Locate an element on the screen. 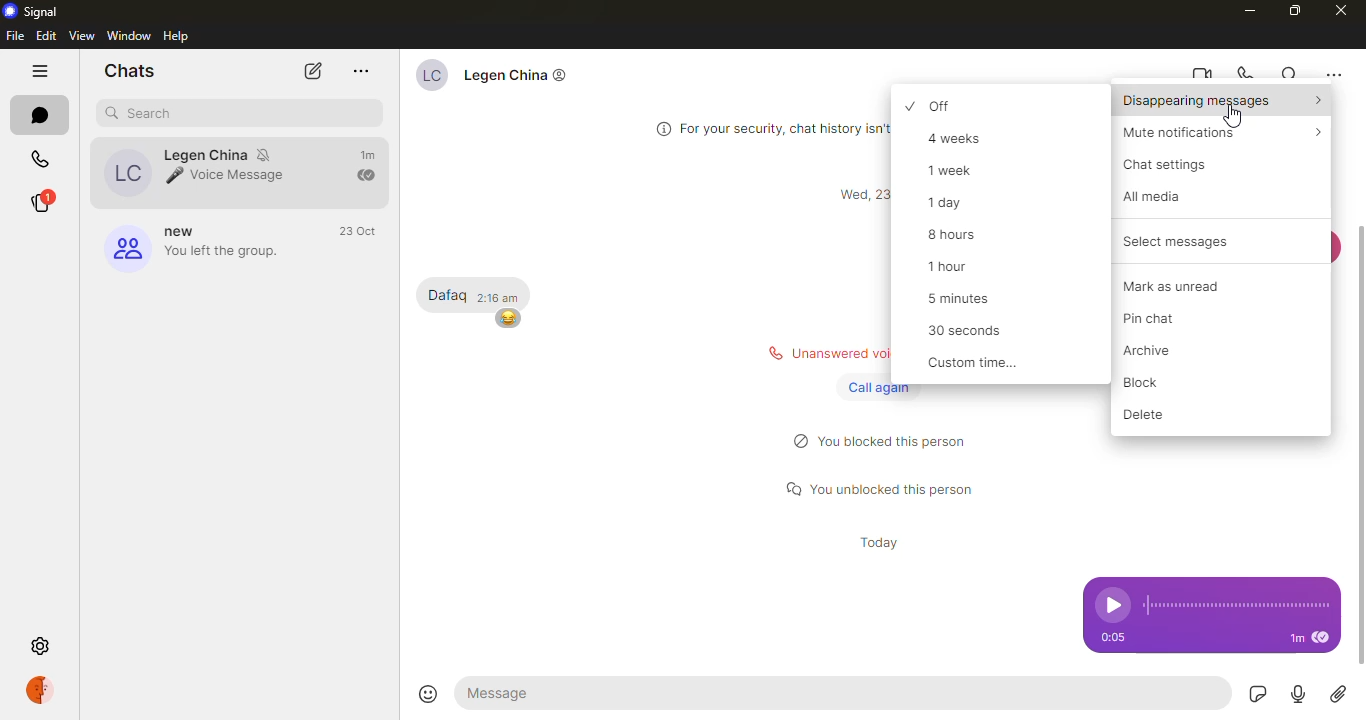 The image size is (1366, 720). contact is located at coordinates (507, 79).